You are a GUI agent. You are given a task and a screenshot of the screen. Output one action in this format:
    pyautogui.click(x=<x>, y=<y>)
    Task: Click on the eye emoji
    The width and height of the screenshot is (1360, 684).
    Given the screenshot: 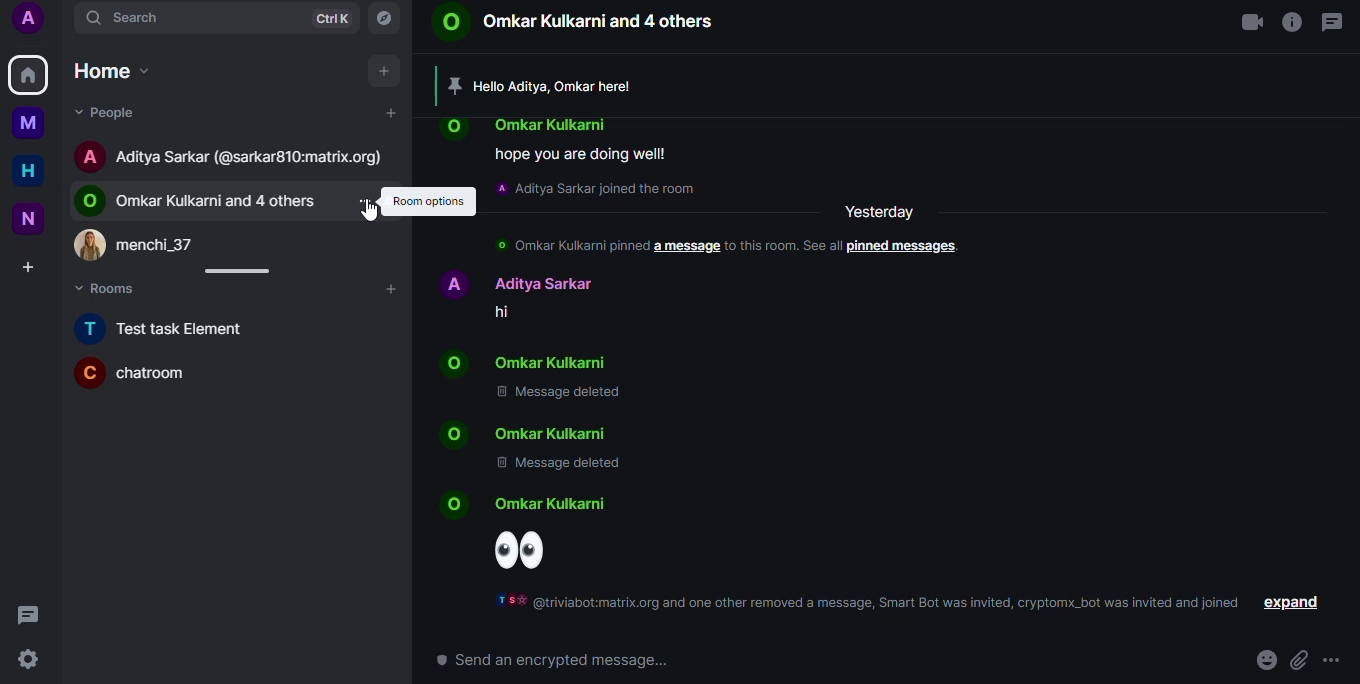 What is the action you would take?
    pyautogui.click(x=528, y=550)
    